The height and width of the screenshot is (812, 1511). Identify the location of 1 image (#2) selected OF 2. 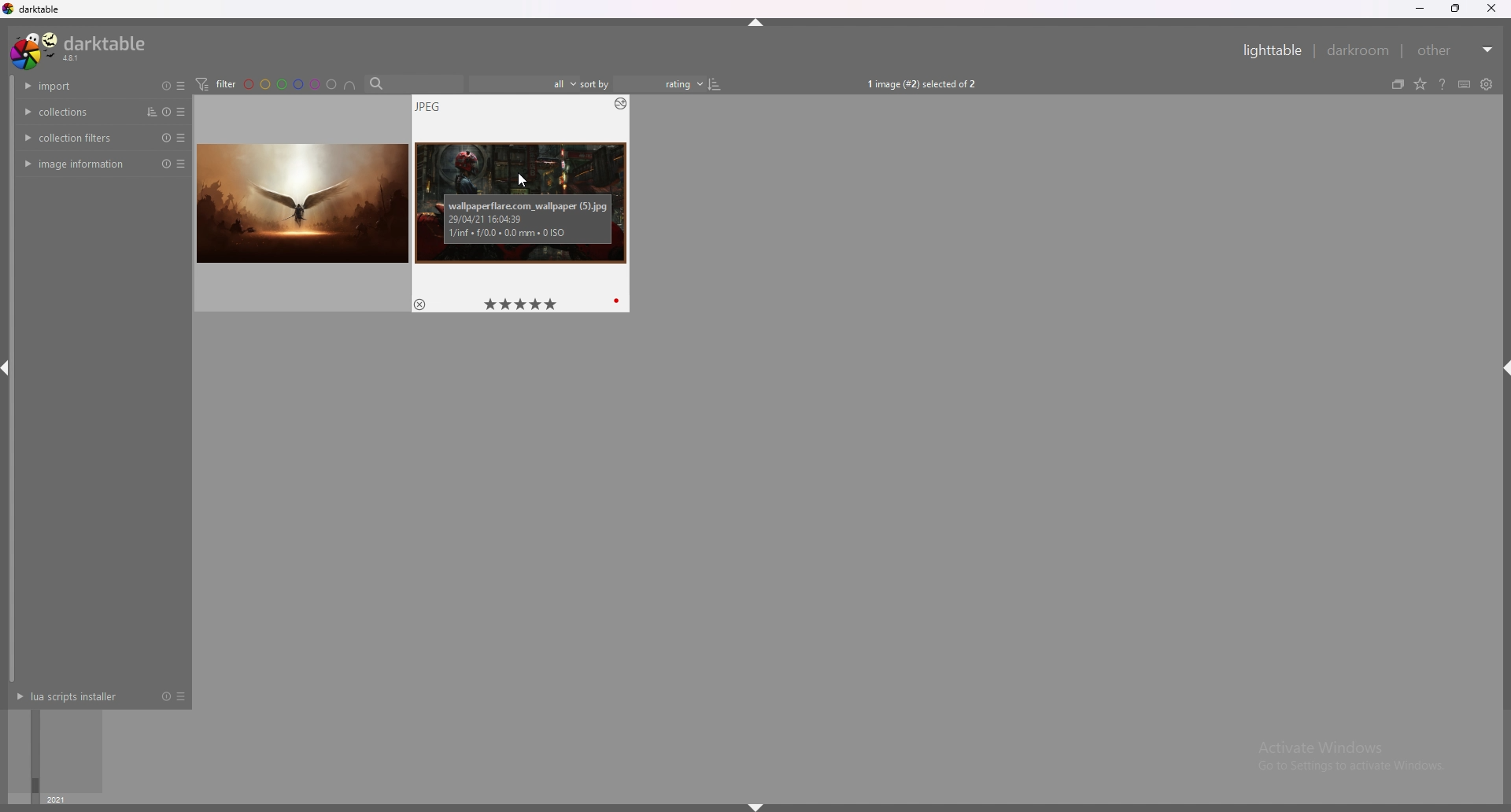
(921, 85).